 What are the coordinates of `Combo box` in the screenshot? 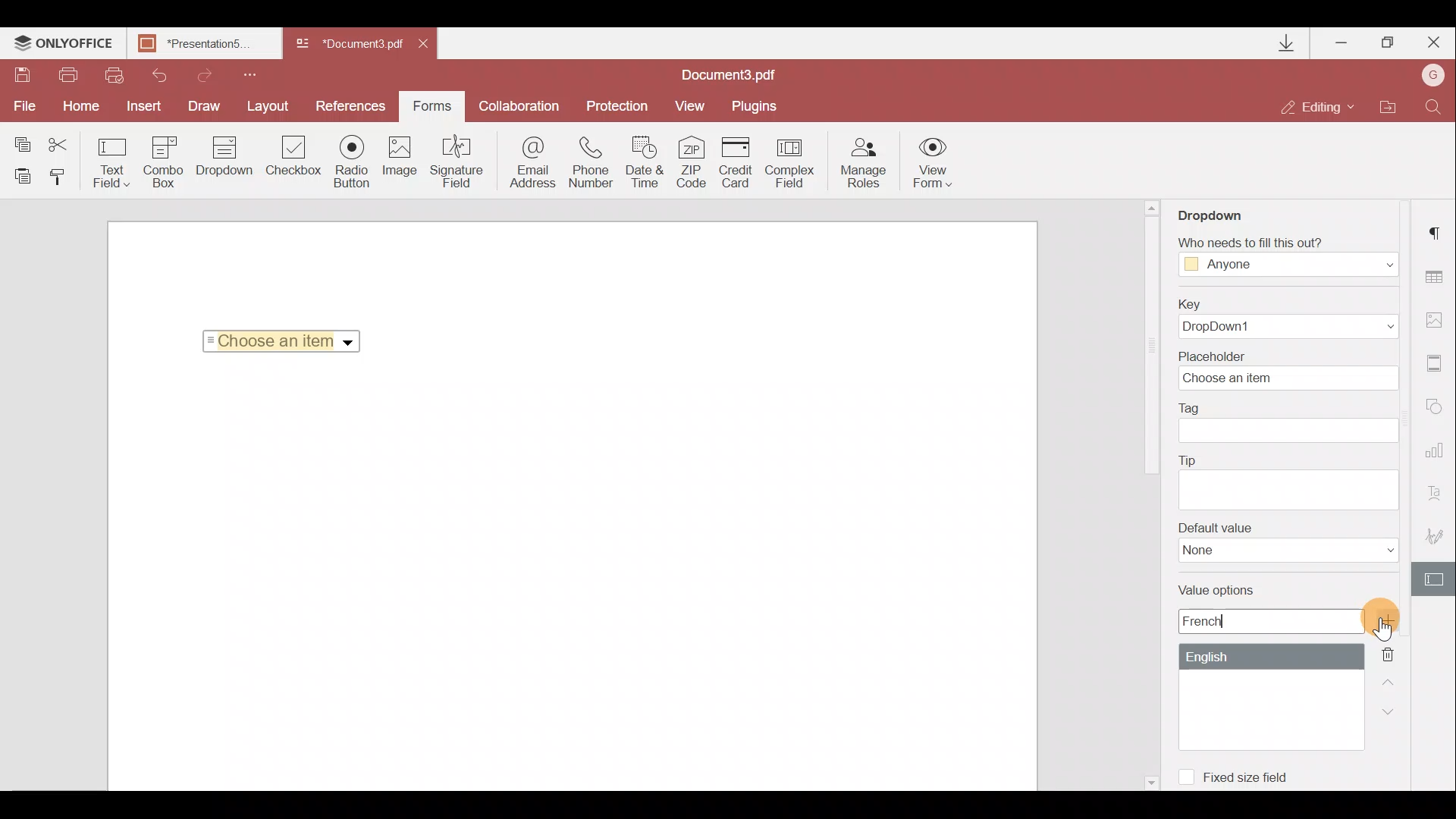 It's located at (164, 159).